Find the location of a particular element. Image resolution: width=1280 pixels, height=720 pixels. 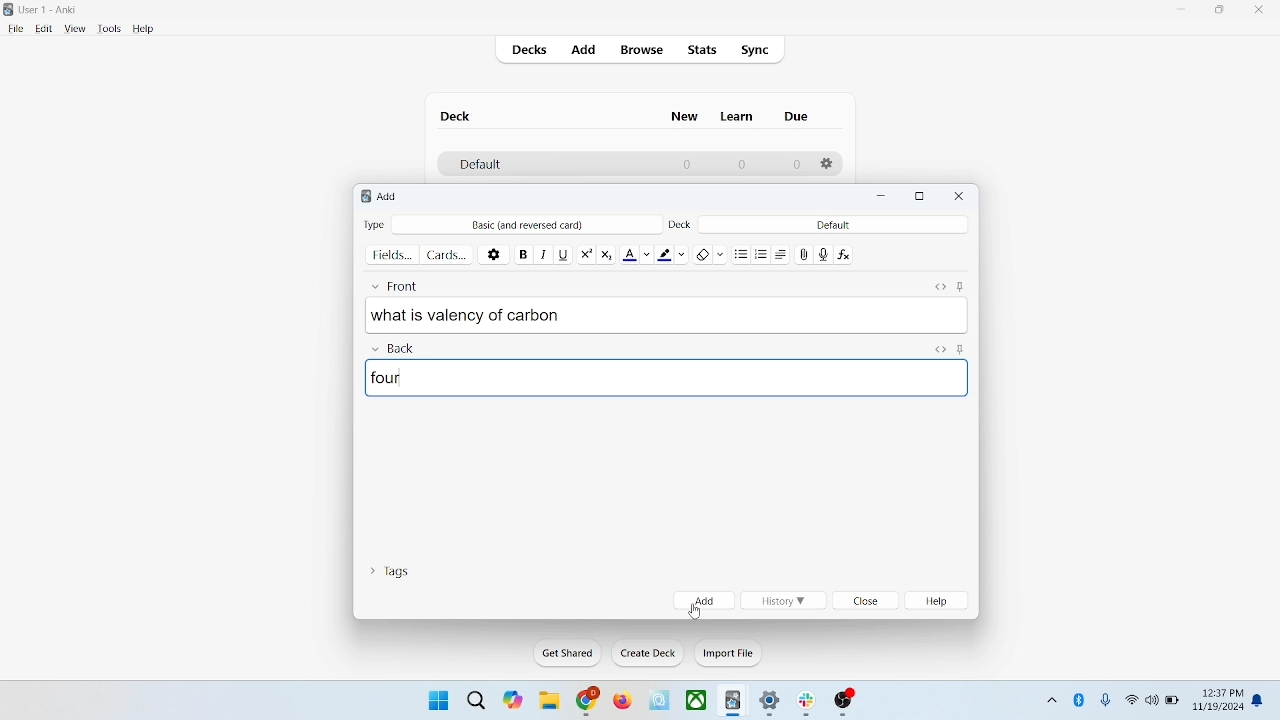

help is located at coordinates (940, 601).